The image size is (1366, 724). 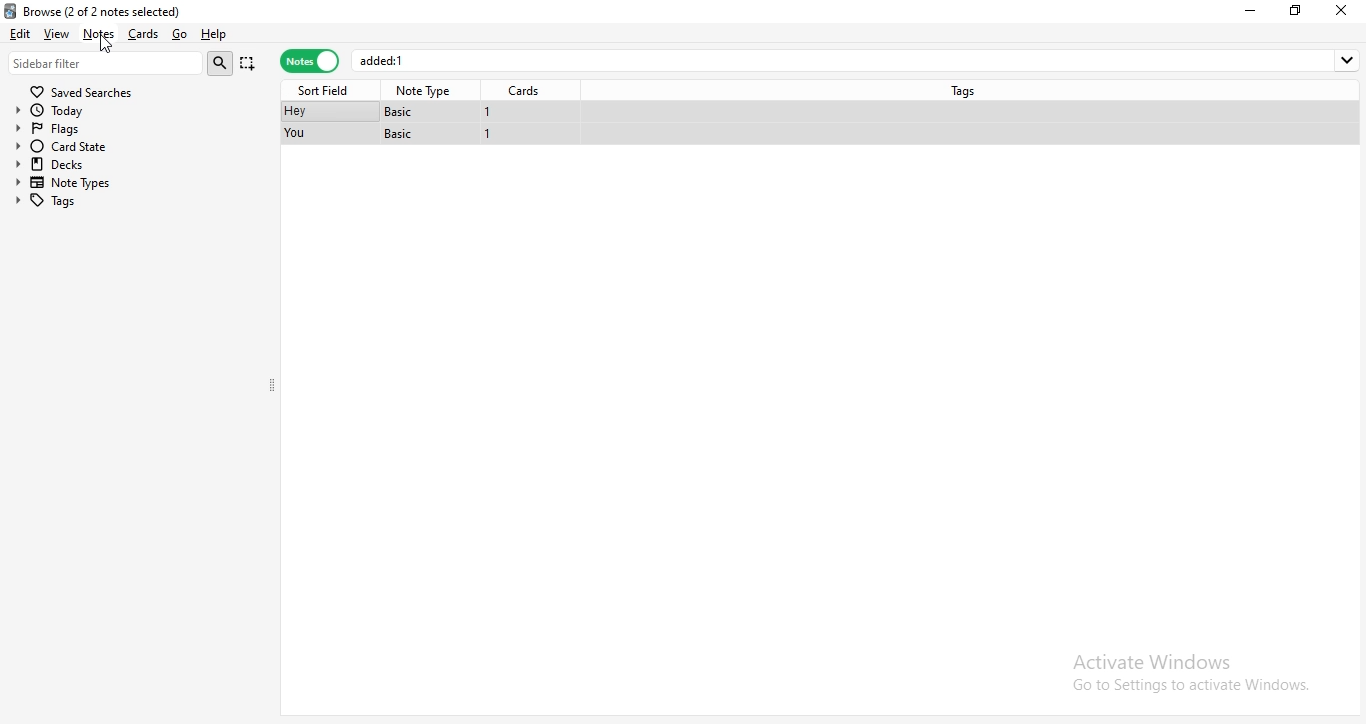 What do you see at coordinates (68, 183) in the screenshot?
I see `note types` at bounding box center [68, 183].